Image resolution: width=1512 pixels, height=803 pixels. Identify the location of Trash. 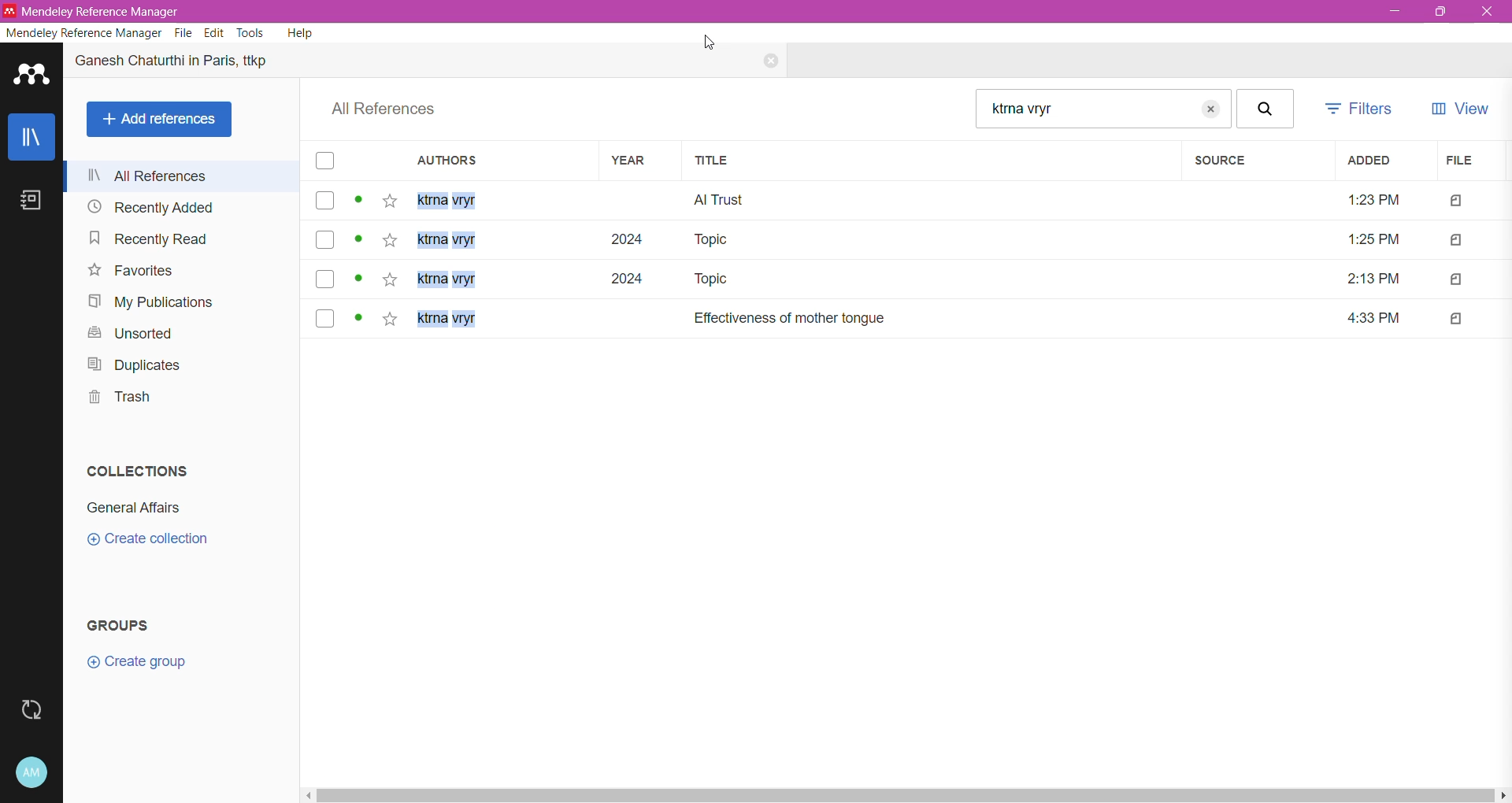
(120, 400).